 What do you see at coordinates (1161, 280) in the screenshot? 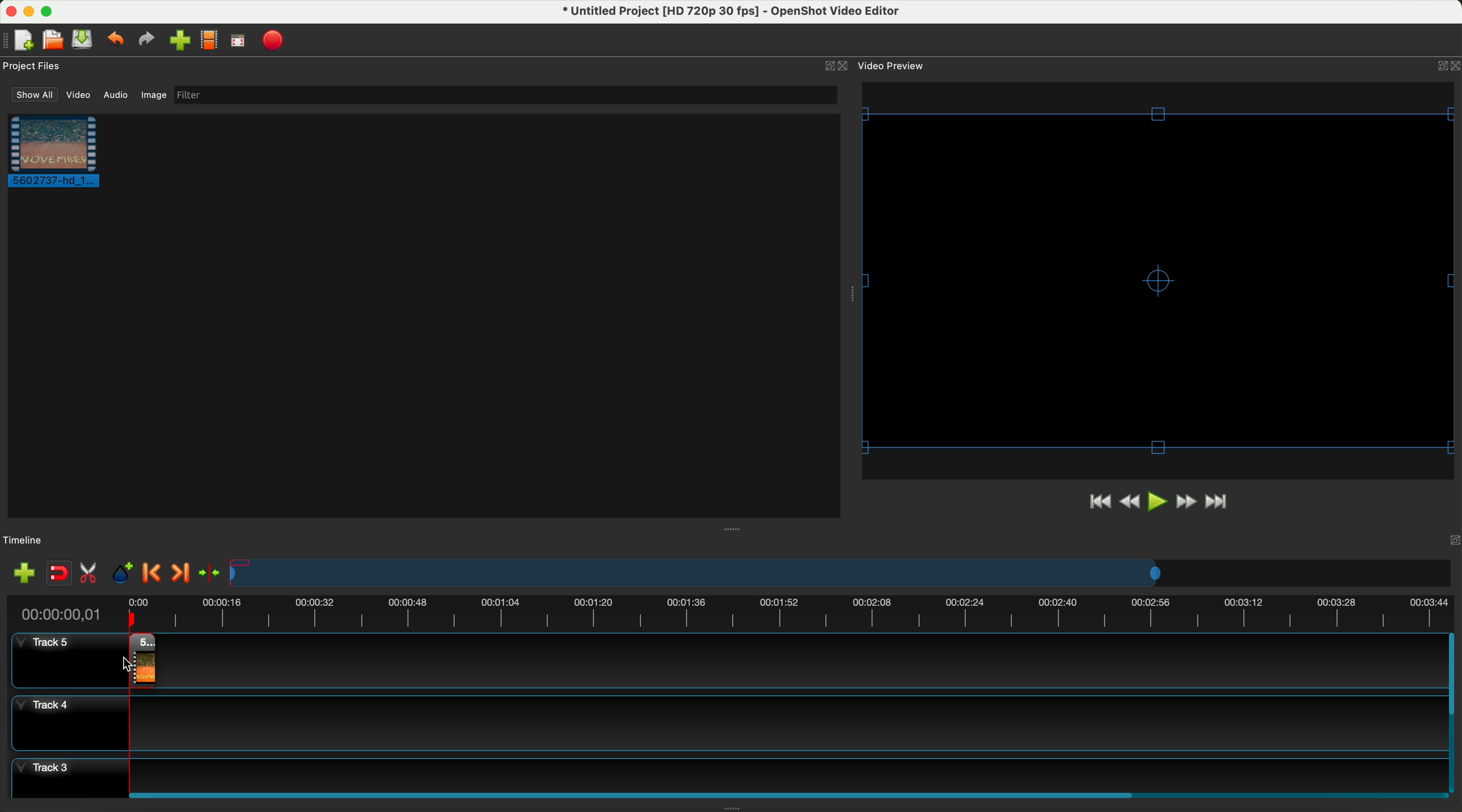
I see `video preview` at bounding box center [1161, 280].